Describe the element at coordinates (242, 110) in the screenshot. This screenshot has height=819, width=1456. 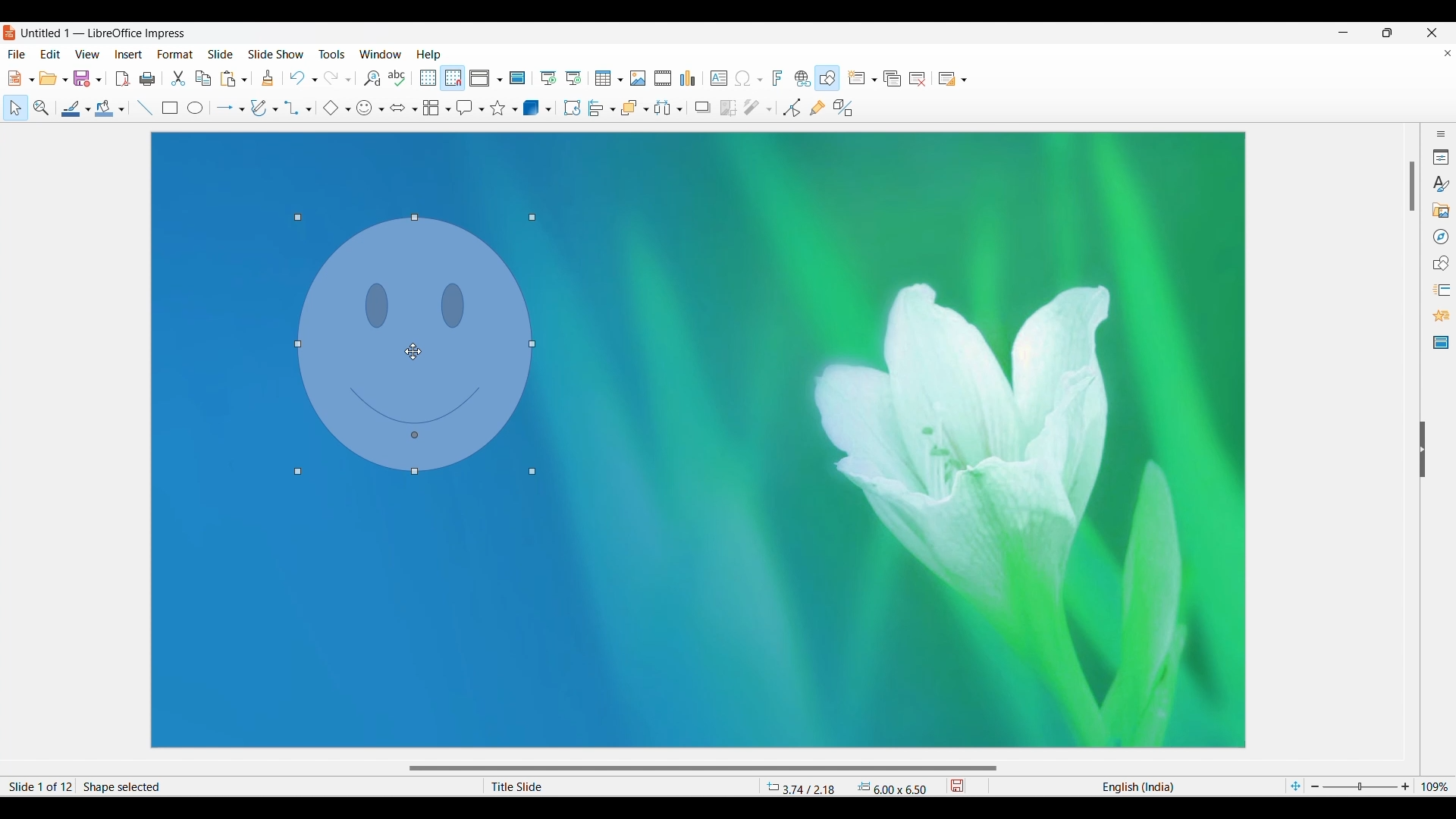
I see `Line and arrow options` at that location.